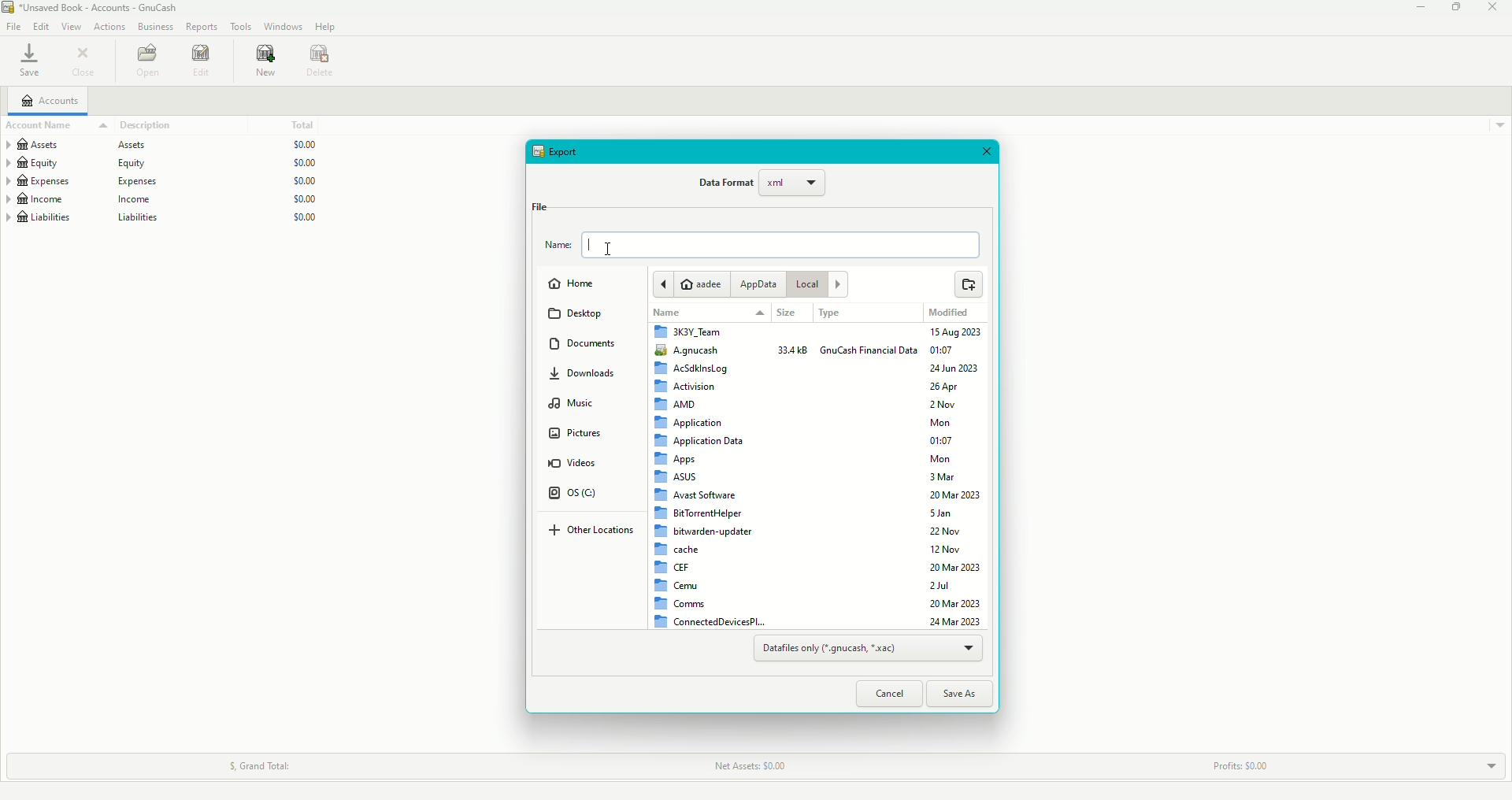  Describe the element at coordinates (40, 26) in the screenshot. I see `Edit` at that location.